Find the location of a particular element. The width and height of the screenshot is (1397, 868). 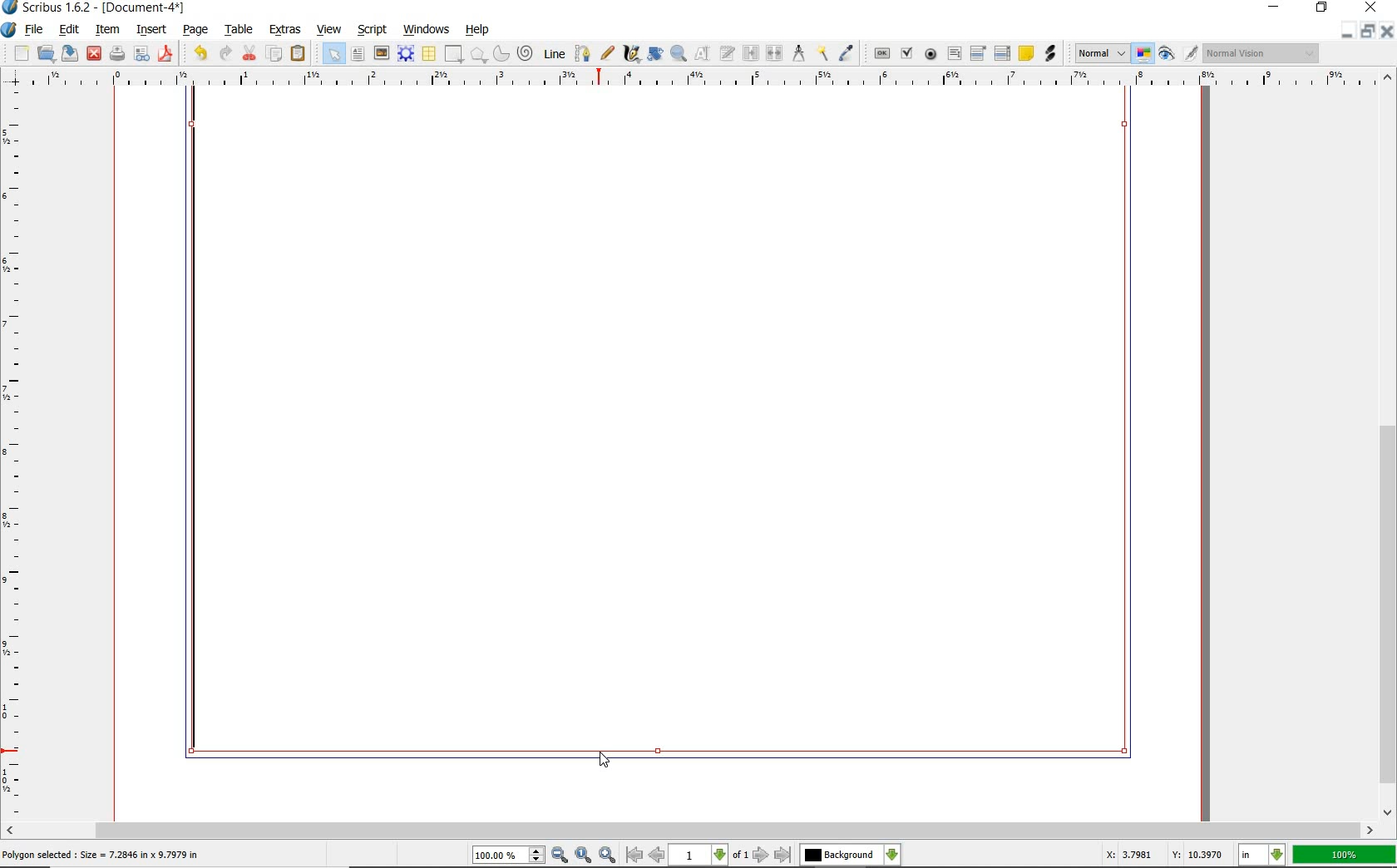

cursor is located at coordinates (606, 763).